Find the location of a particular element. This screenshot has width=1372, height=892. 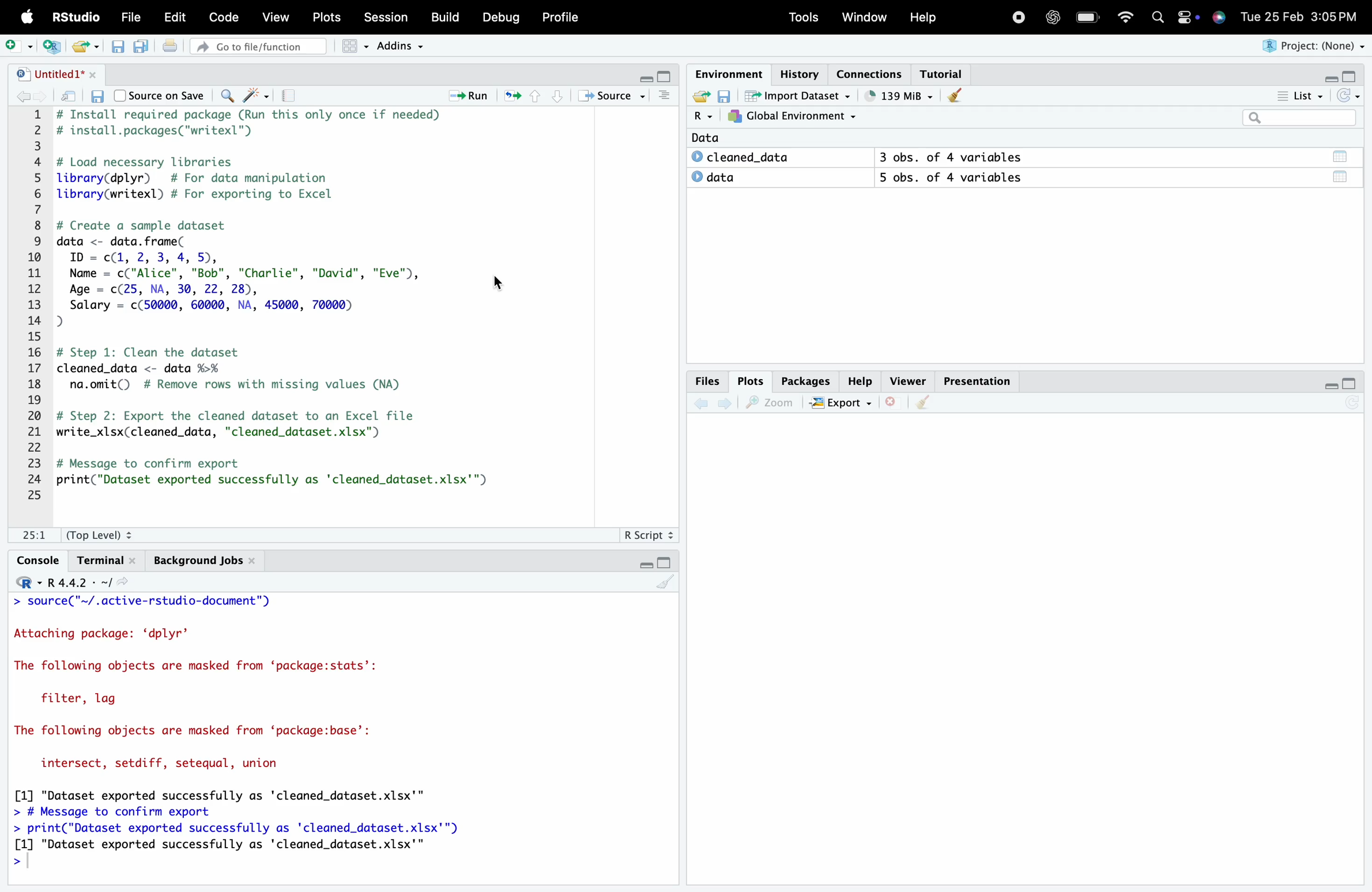

Tutorial is located at coordinates (945, 72).